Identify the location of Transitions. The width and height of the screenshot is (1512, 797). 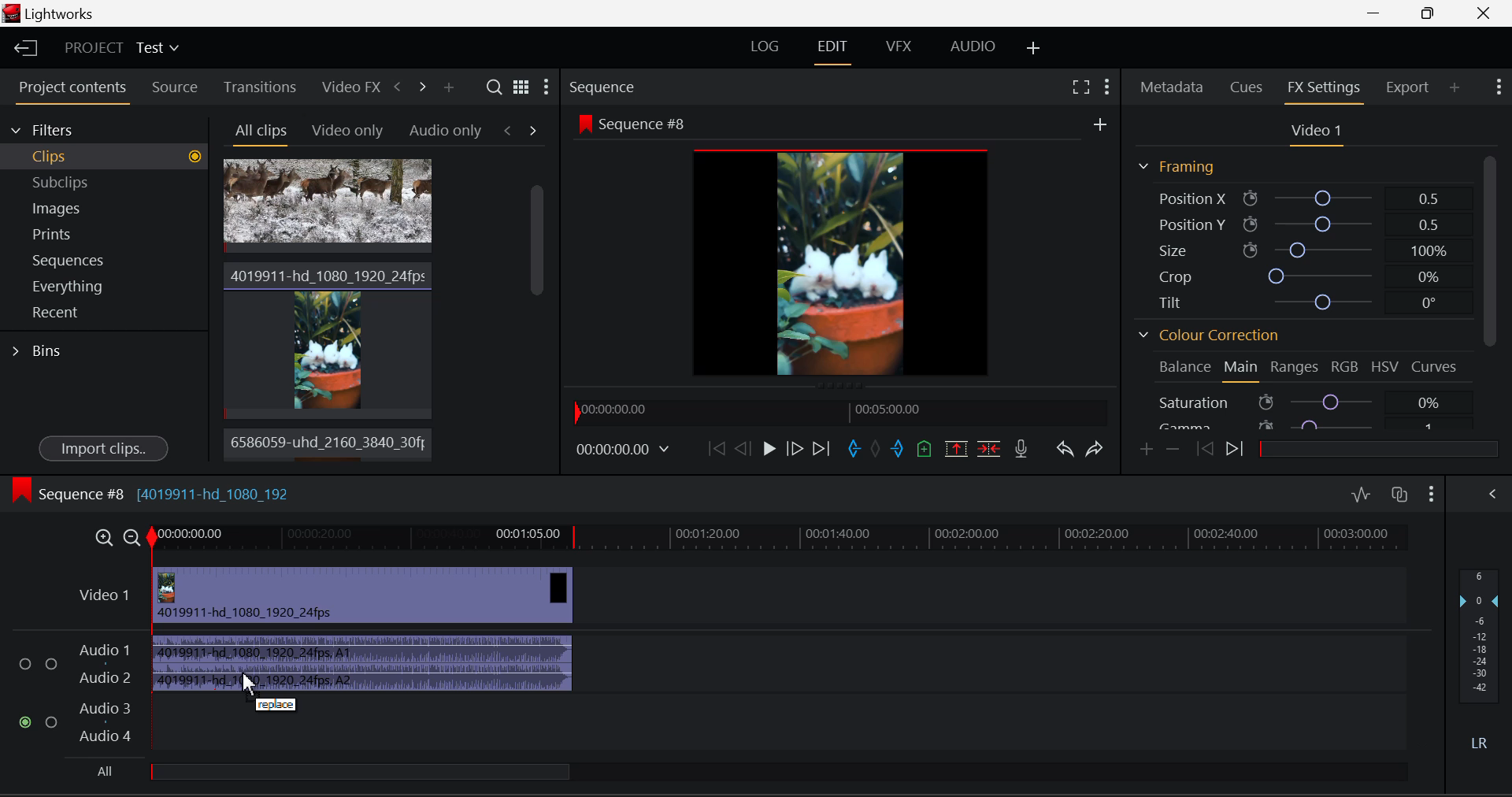
(259, 86).